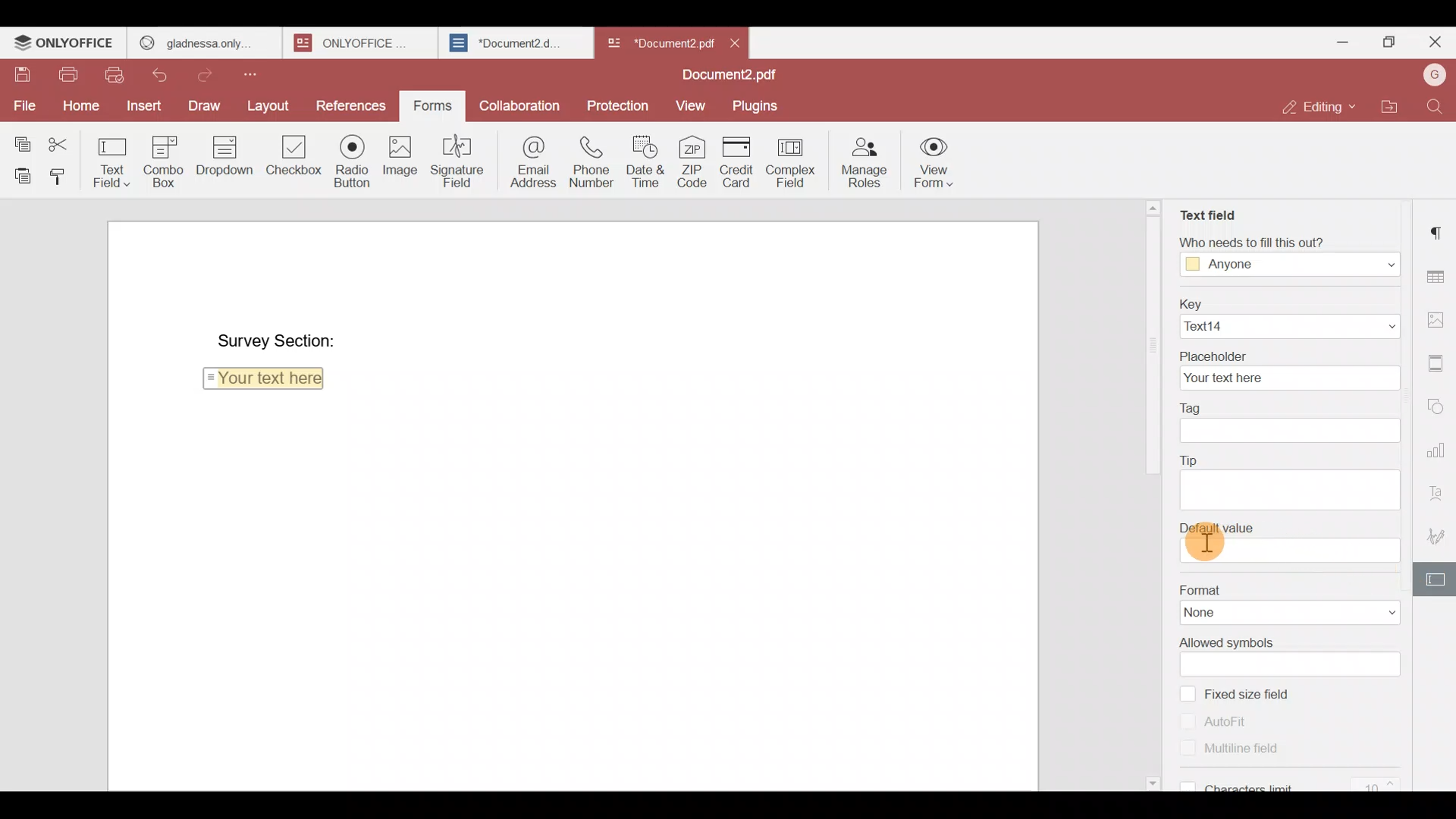  I want to click on Text14, so click(1287, 326).